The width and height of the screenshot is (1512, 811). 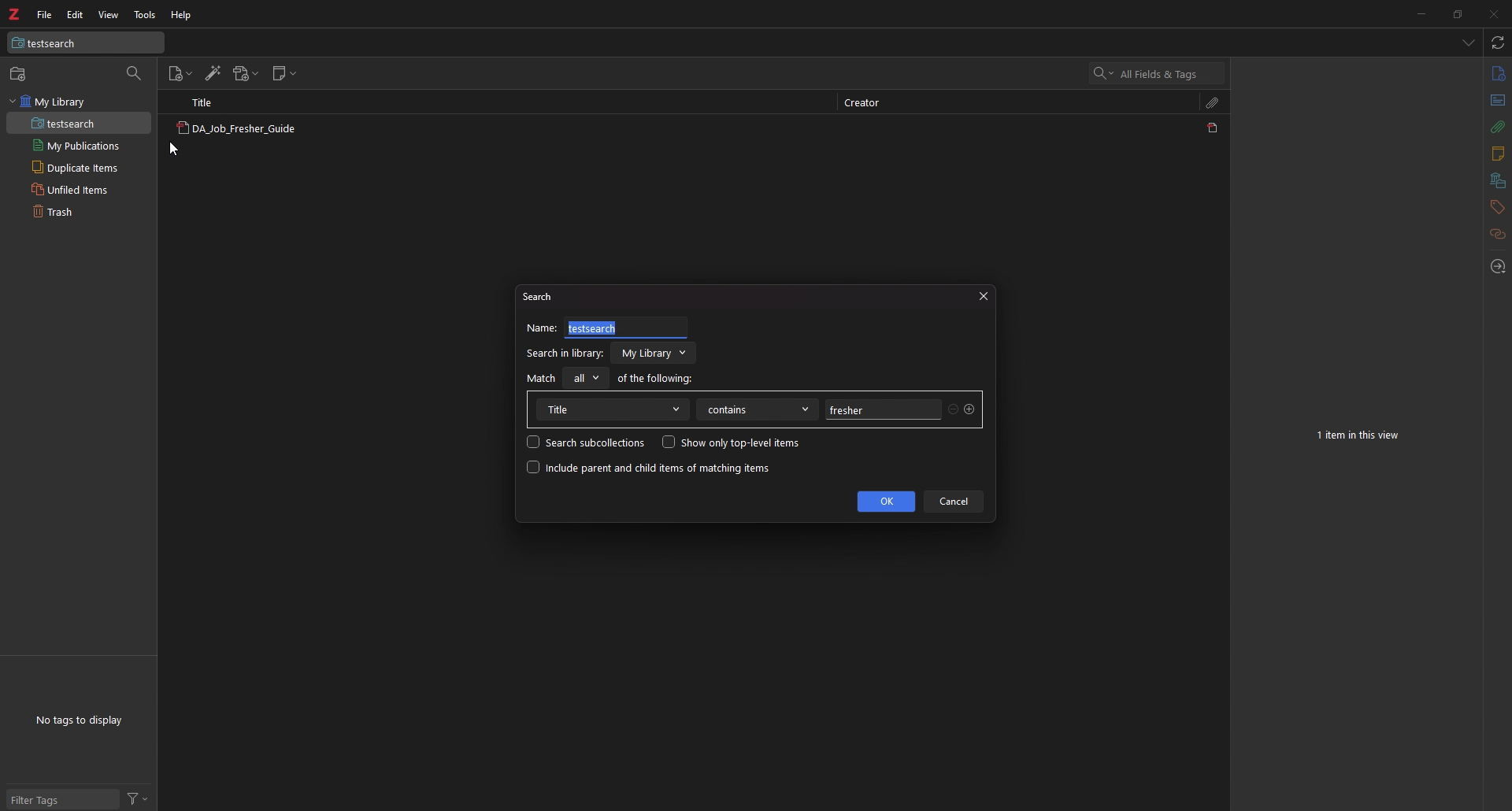 What do you see at coordinates (235, 130) in the screenshot?
I see `DA_Job_Fresher_Guide` at bounding box center [235, 130].